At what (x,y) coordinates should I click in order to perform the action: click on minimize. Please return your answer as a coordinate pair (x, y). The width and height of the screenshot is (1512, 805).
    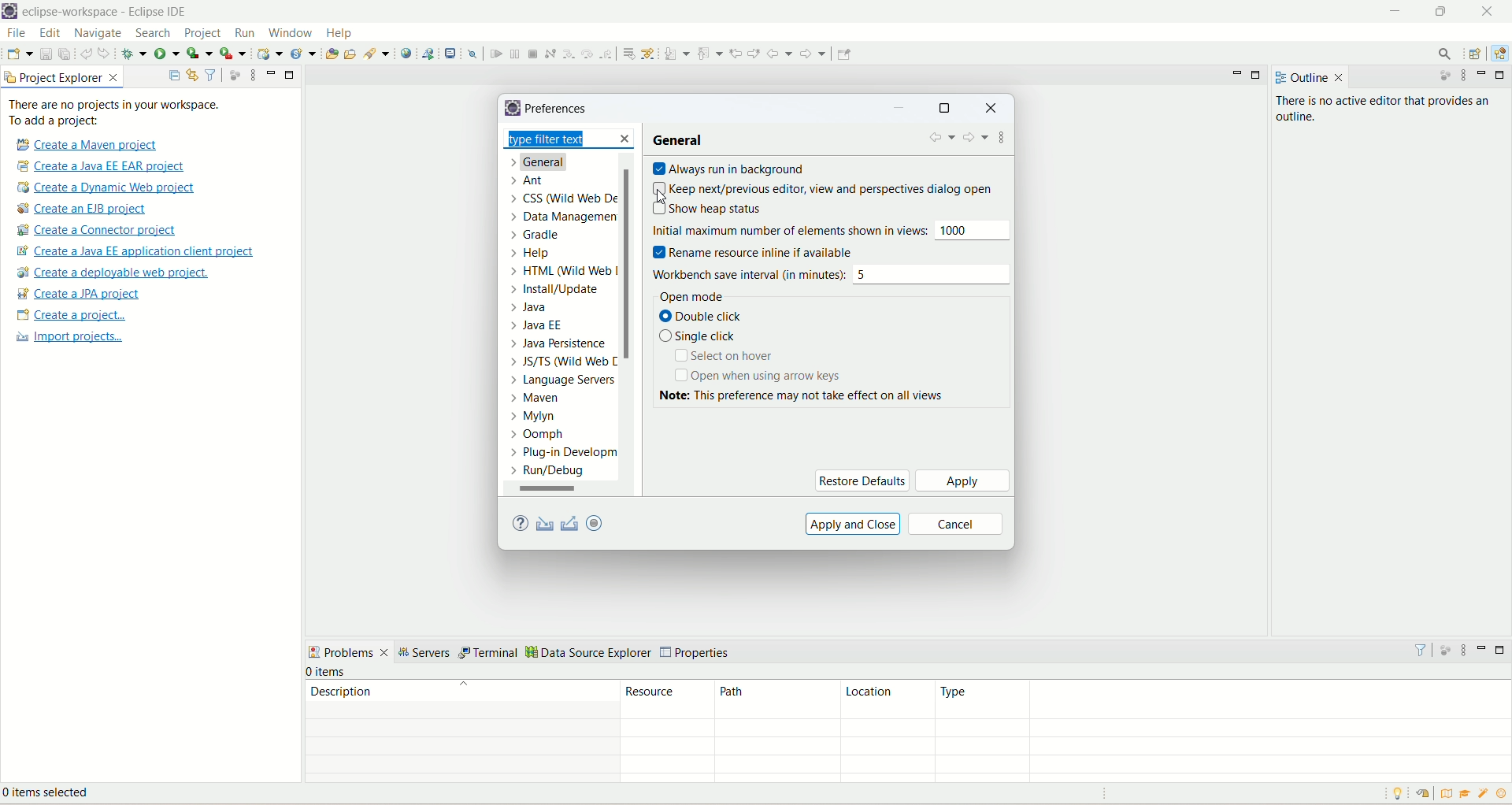
    Looking at the image, I should click on (1484, 647).